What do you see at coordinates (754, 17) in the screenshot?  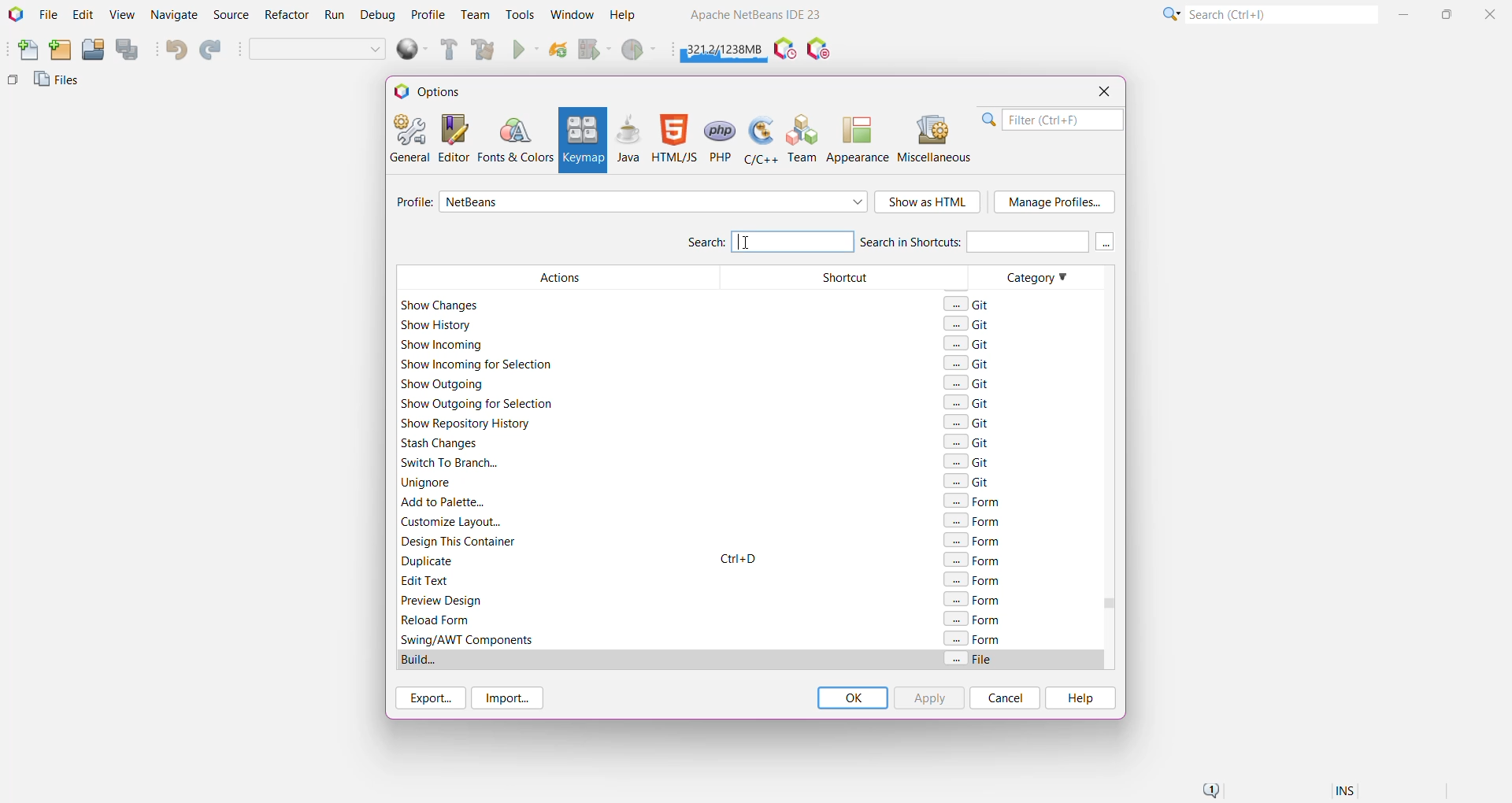 I see `Application name and Version` at bounding box center [754, 17].